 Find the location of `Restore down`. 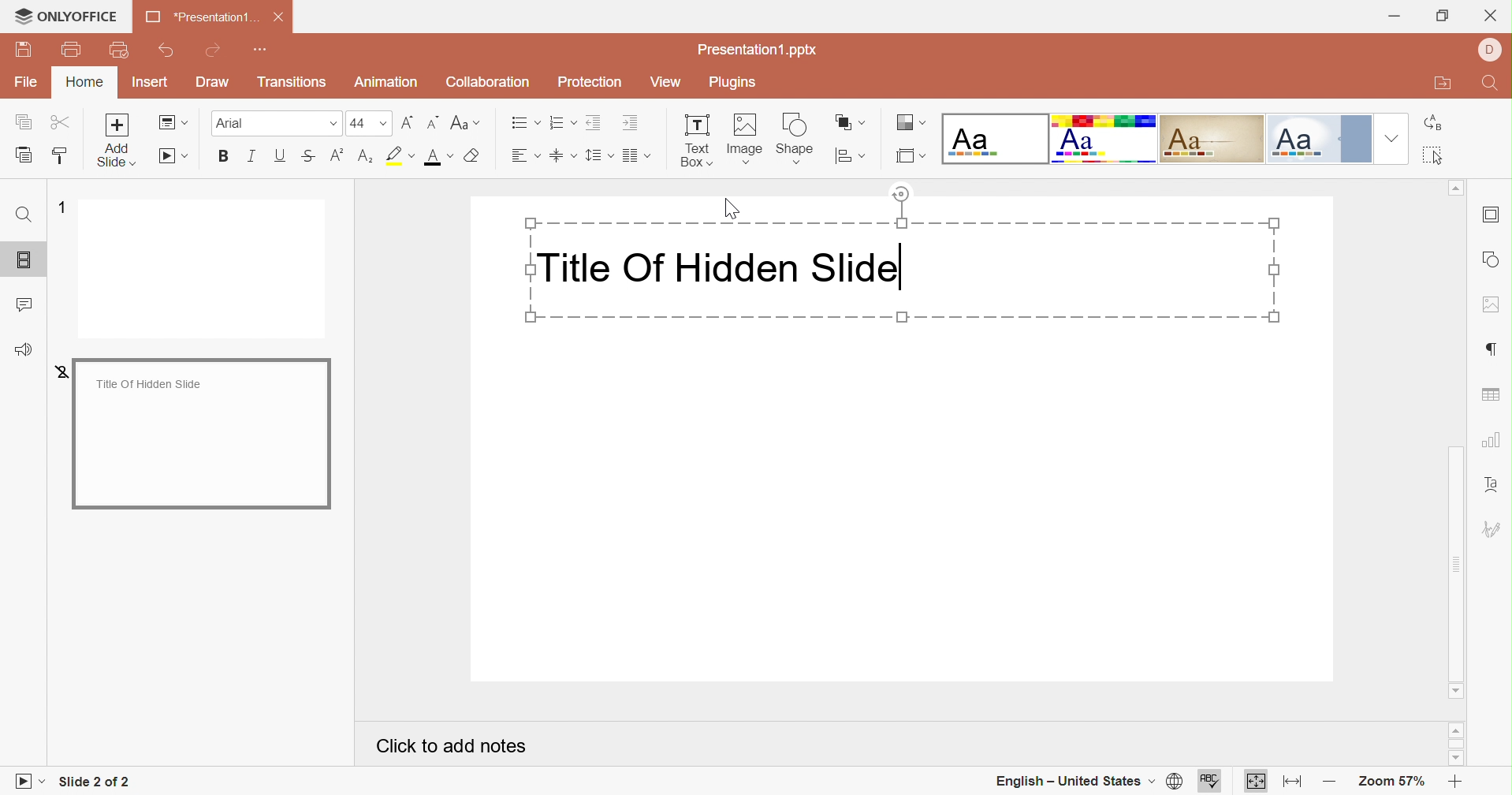

Restore down is located at coordinates (1441, 17).